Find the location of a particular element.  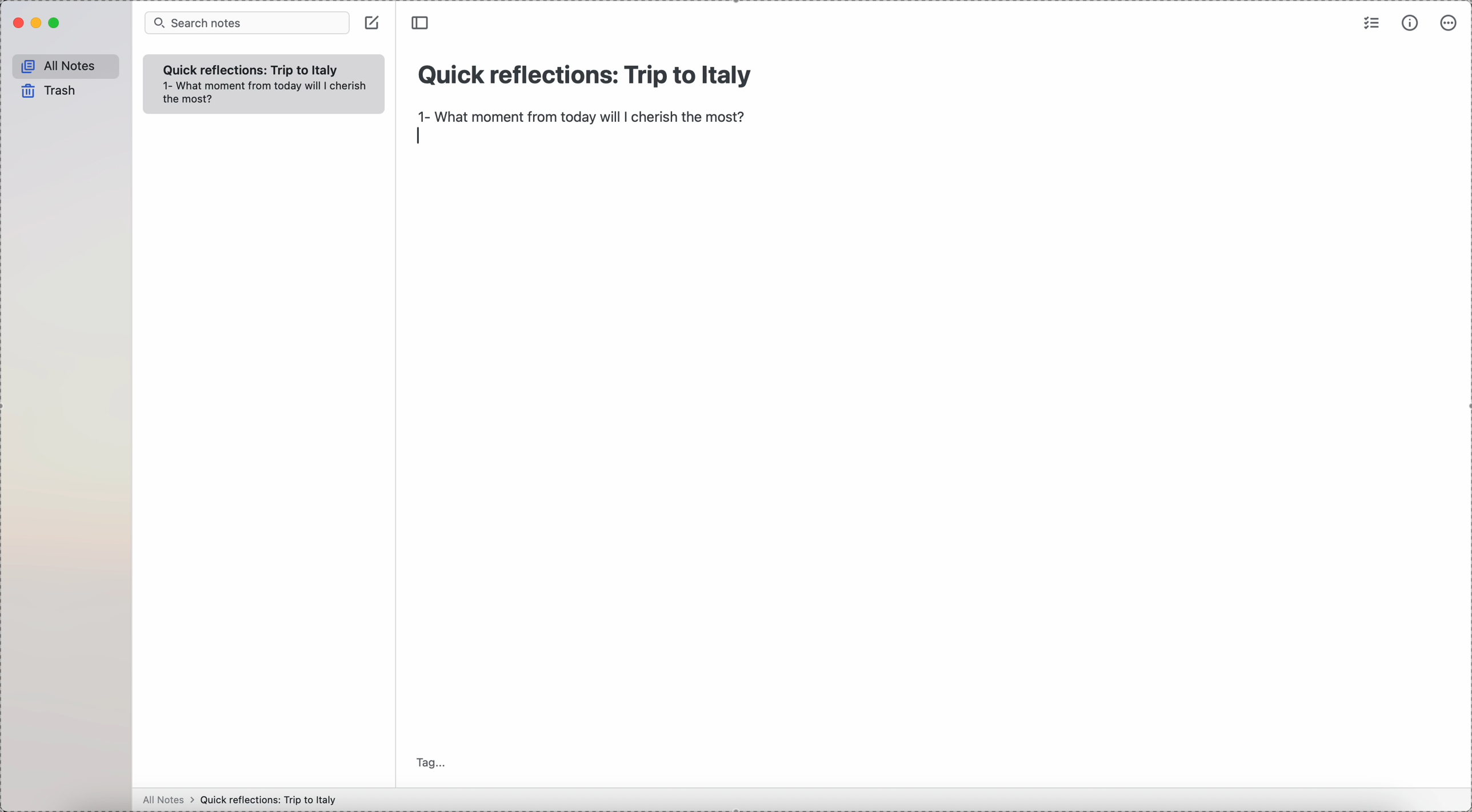

1- What moment from today will I cherish the most? is located at coordinates (583, 118).